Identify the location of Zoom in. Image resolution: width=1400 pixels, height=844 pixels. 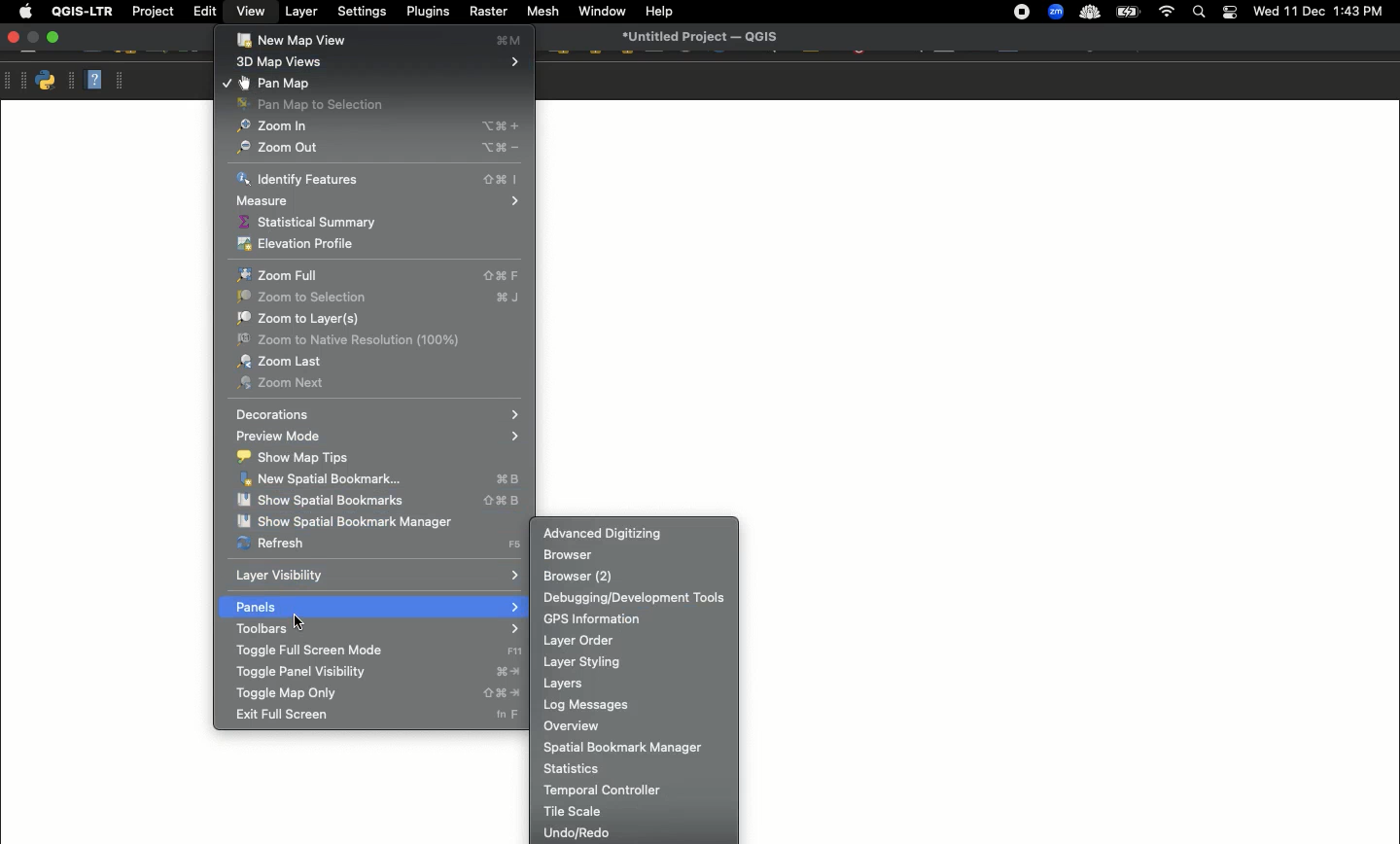
(374, 127).